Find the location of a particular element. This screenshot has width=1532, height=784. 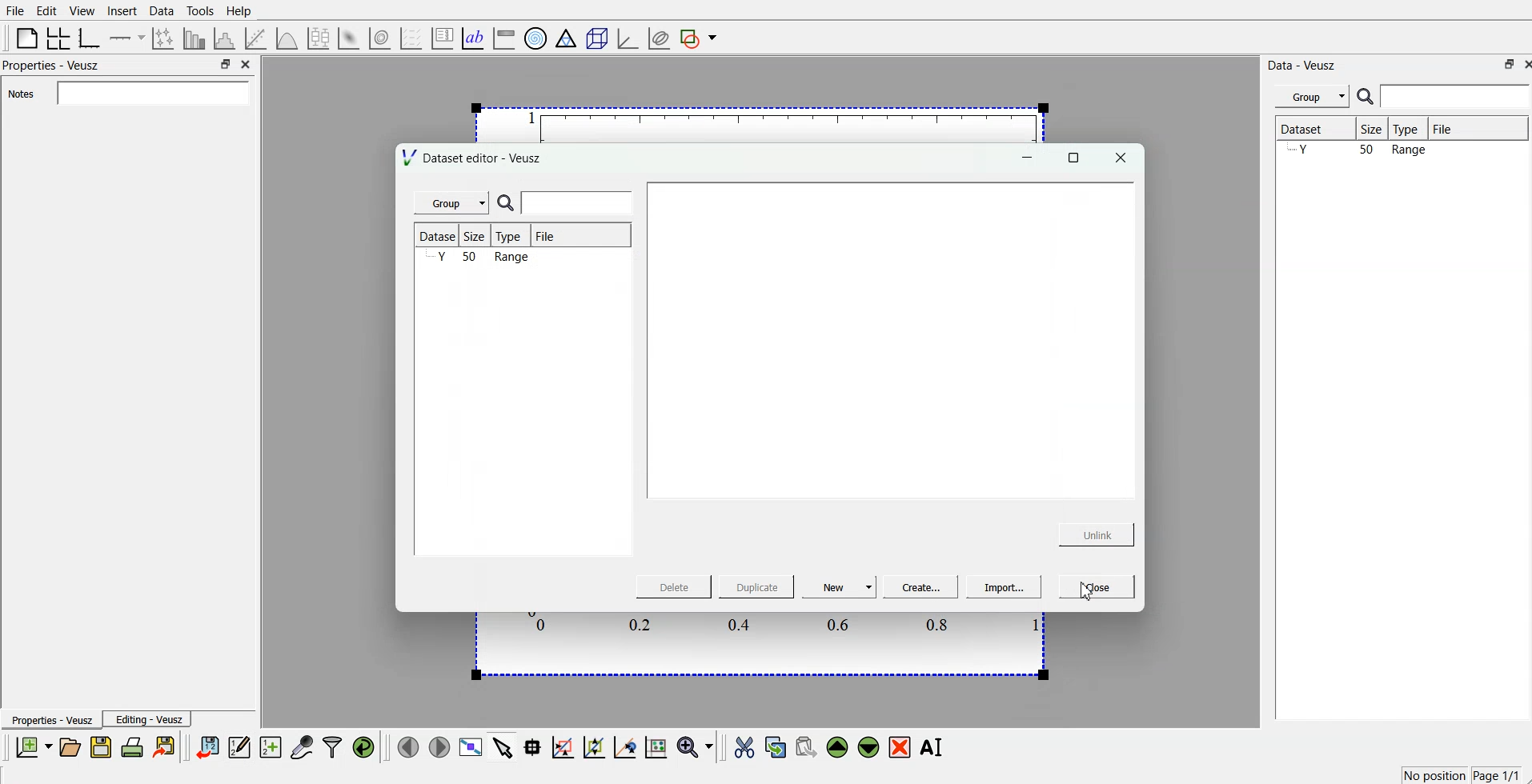

plot a function is located at coordinates (288, 36).